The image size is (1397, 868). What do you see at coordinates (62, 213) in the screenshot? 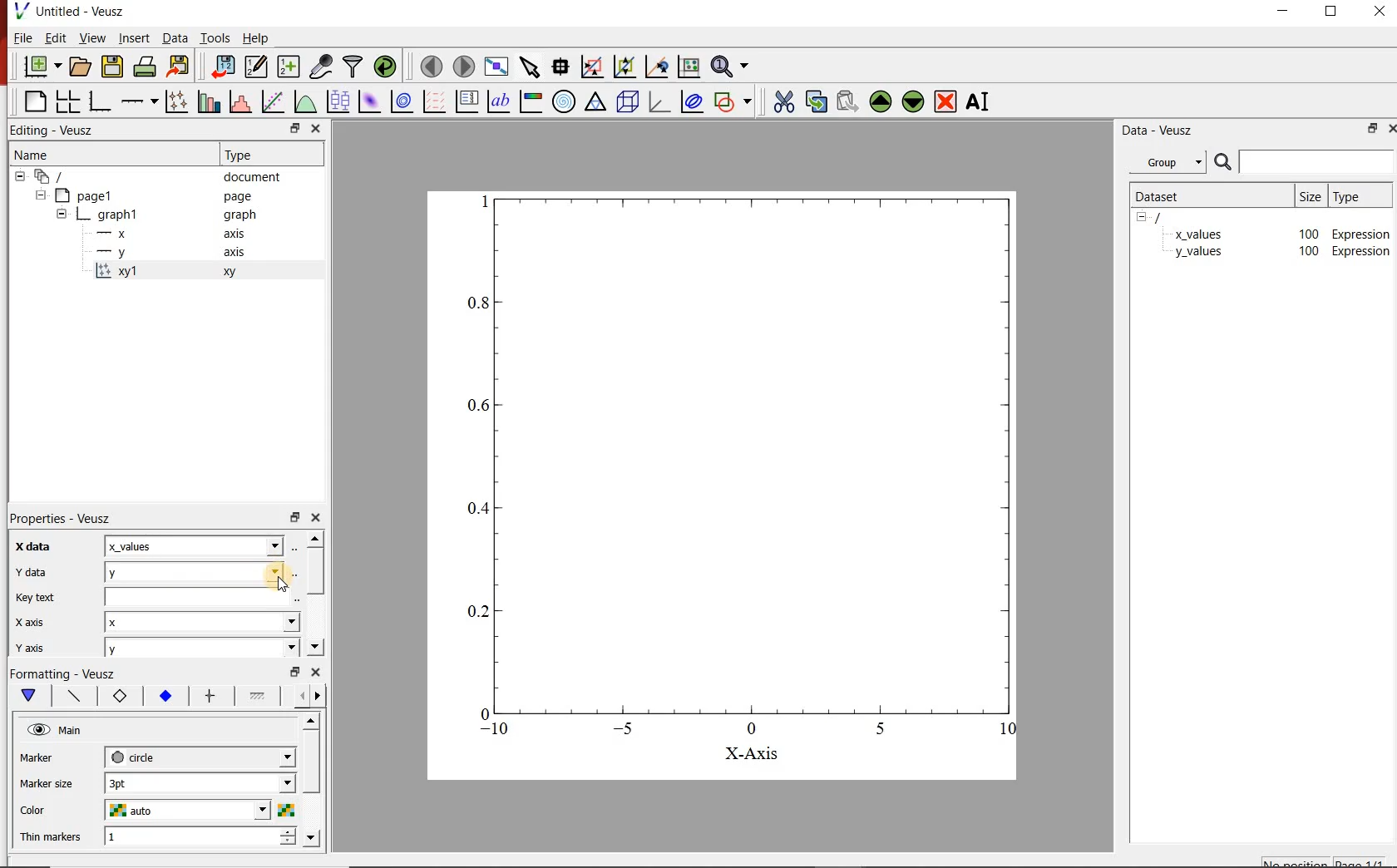
I see `hide` at bounding box center [62, 213].